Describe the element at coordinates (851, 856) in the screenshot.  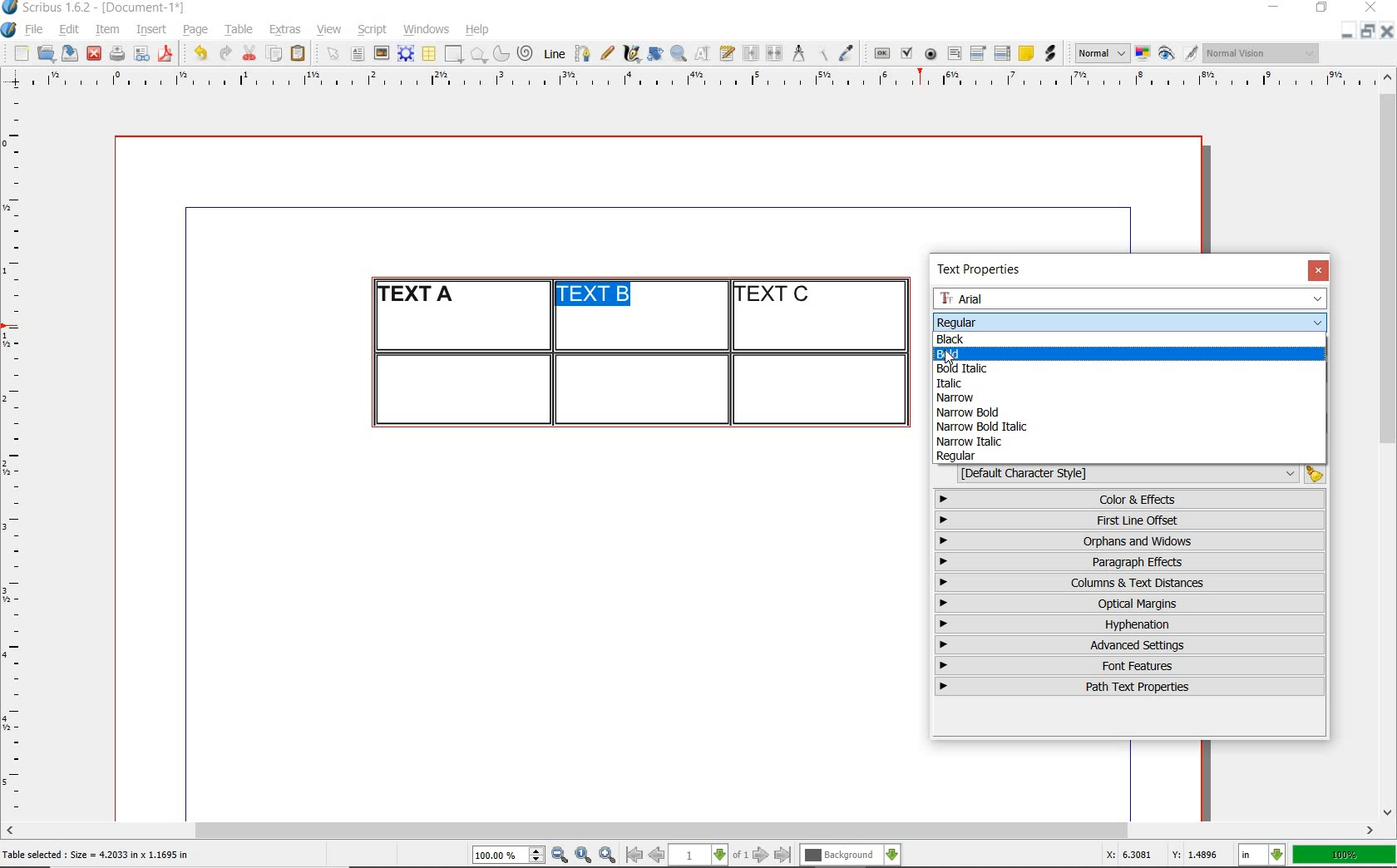
I see `select the current layer` at that location.